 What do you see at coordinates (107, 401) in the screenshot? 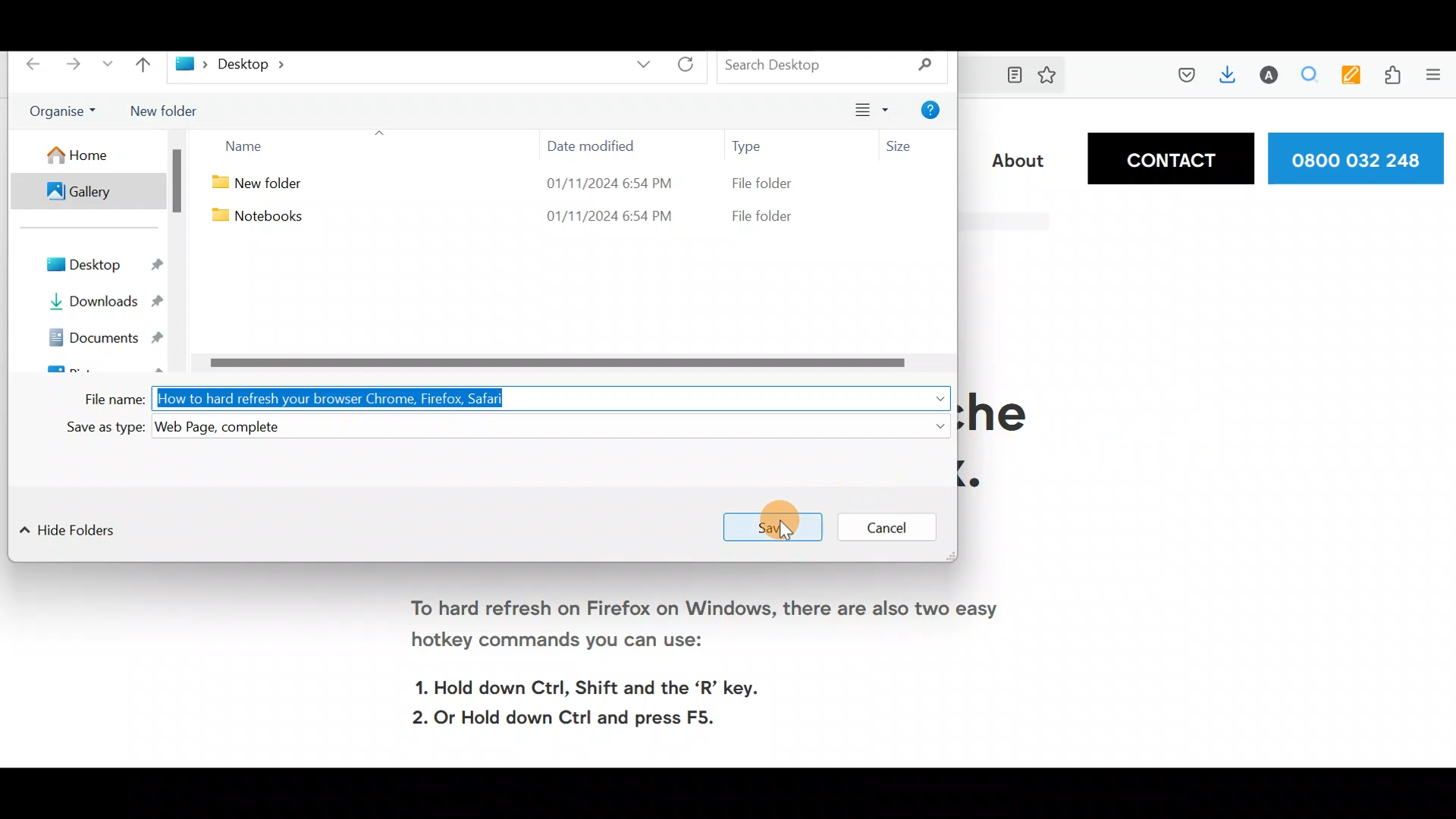
I see `File name` at bounding box center [107, 401].